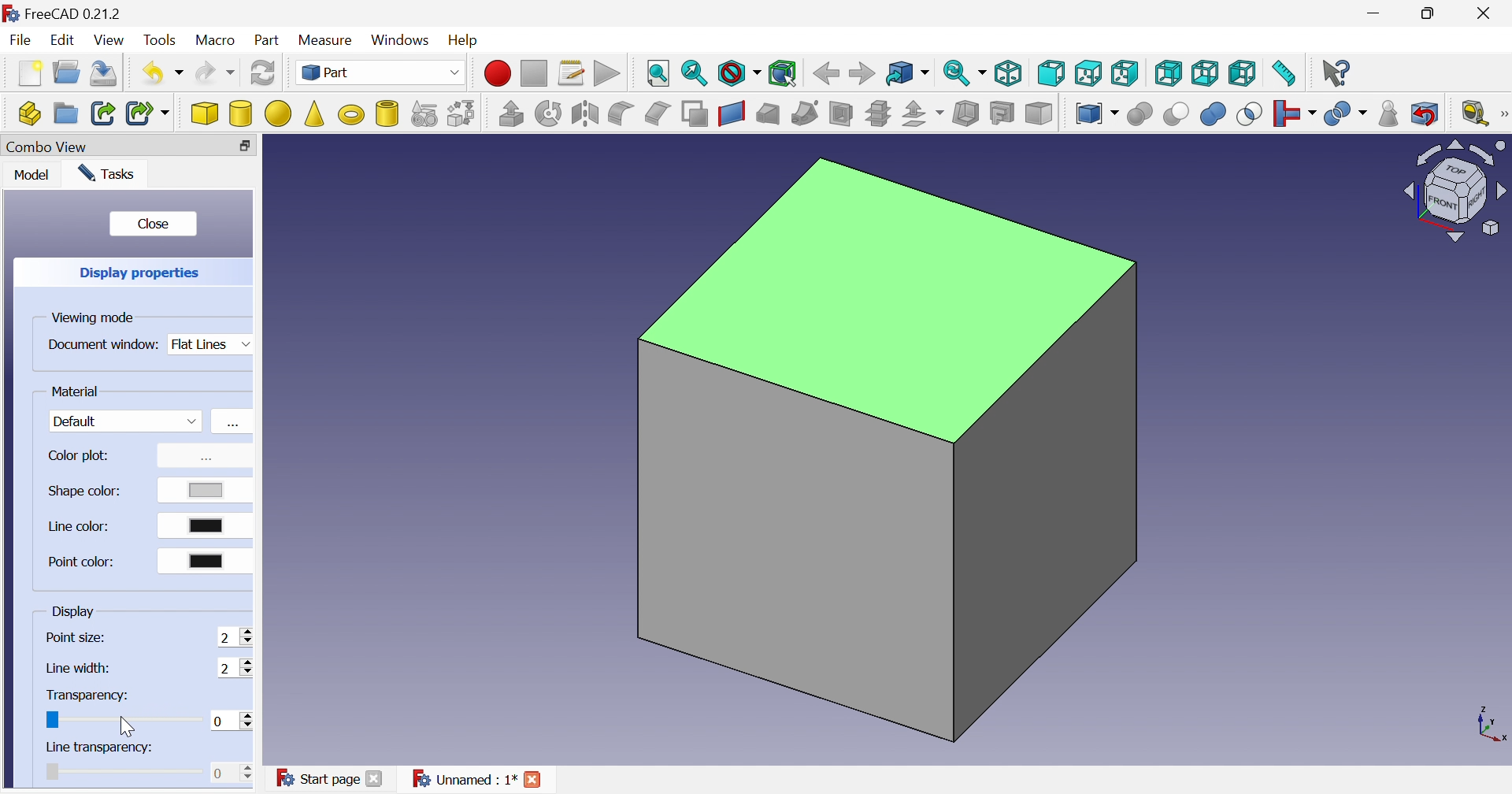  What do you see at coordinates (966, 111) in the screenshot?
I see `Thickness` at bounding box center [966, 111].